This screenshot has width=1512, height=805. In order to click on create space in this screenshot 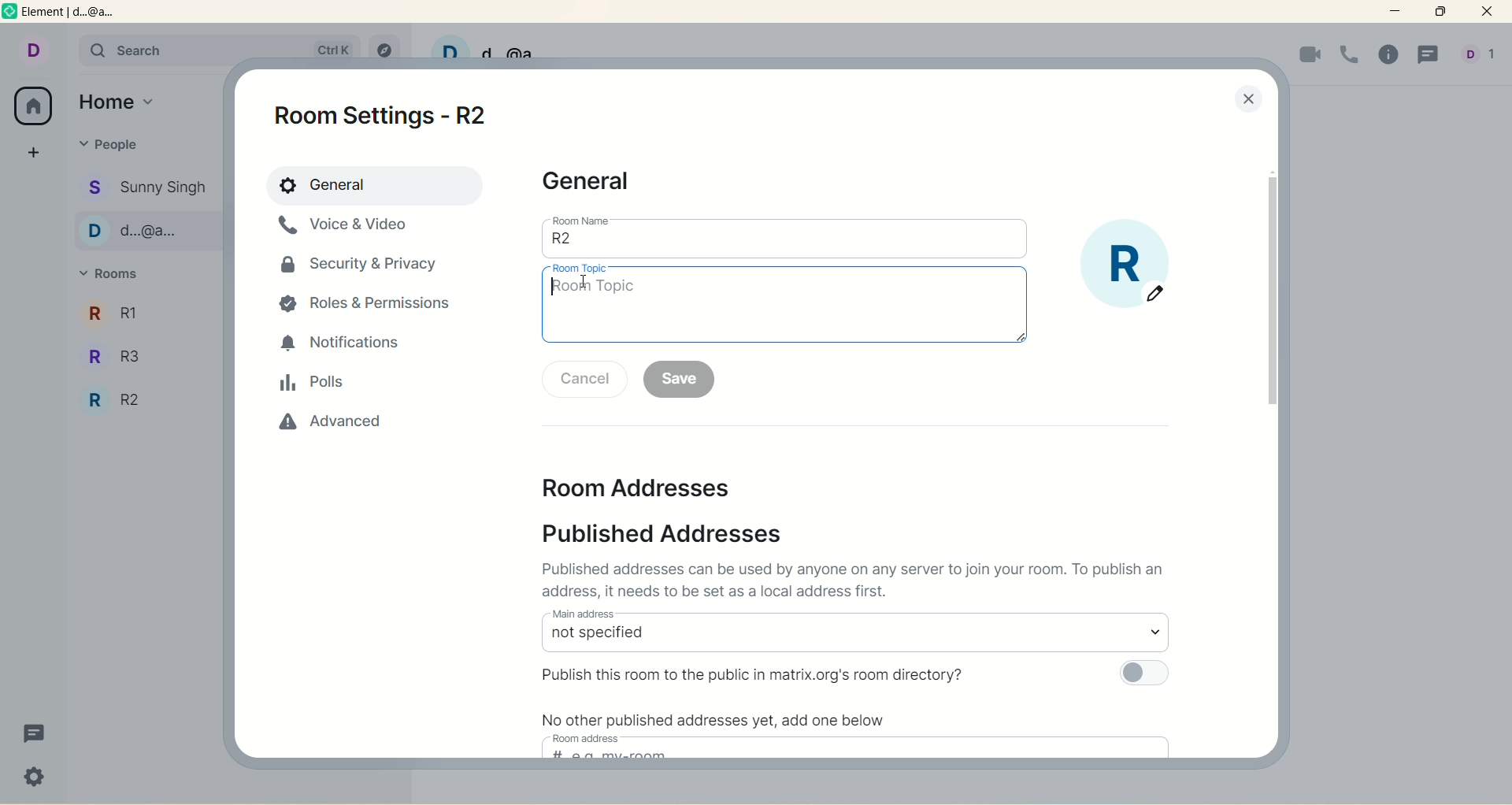, I will do `click(34, 152)`.